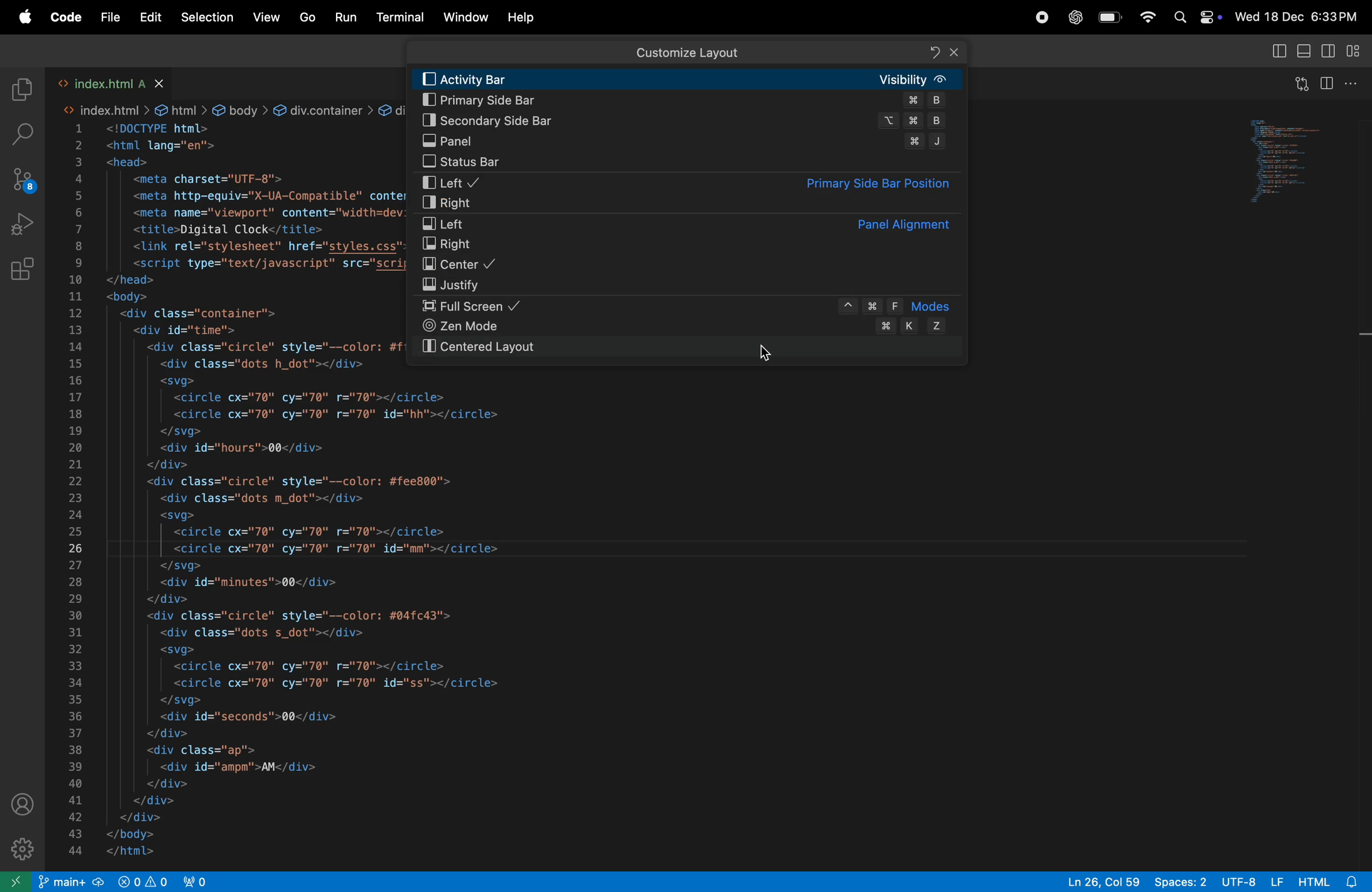 Image resolution: width=1372 pixels, height=892 pixels. Describe the element at coordinates (397, 18) in the screenshot. I see `terminal` at that location.